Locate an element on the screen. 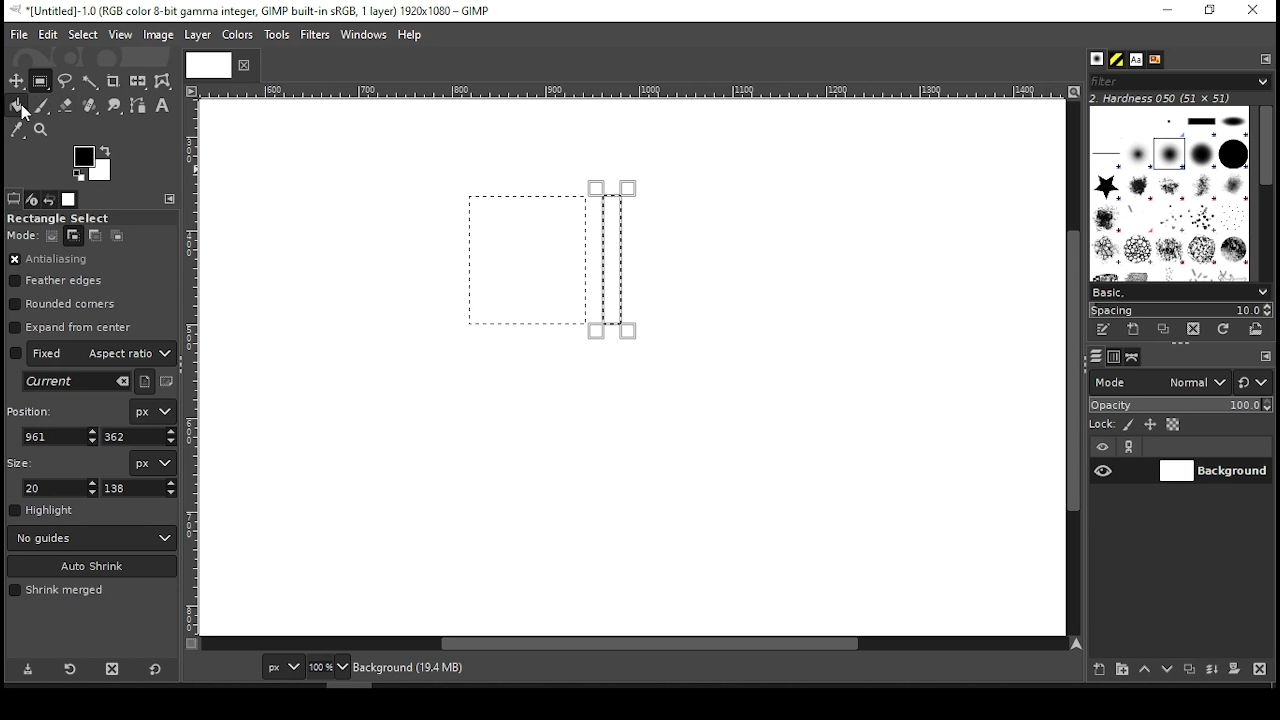 Image resolution: width=1280 pixels, height=720 pixels. duplicate this brush is located at coordinates (1169, 329).